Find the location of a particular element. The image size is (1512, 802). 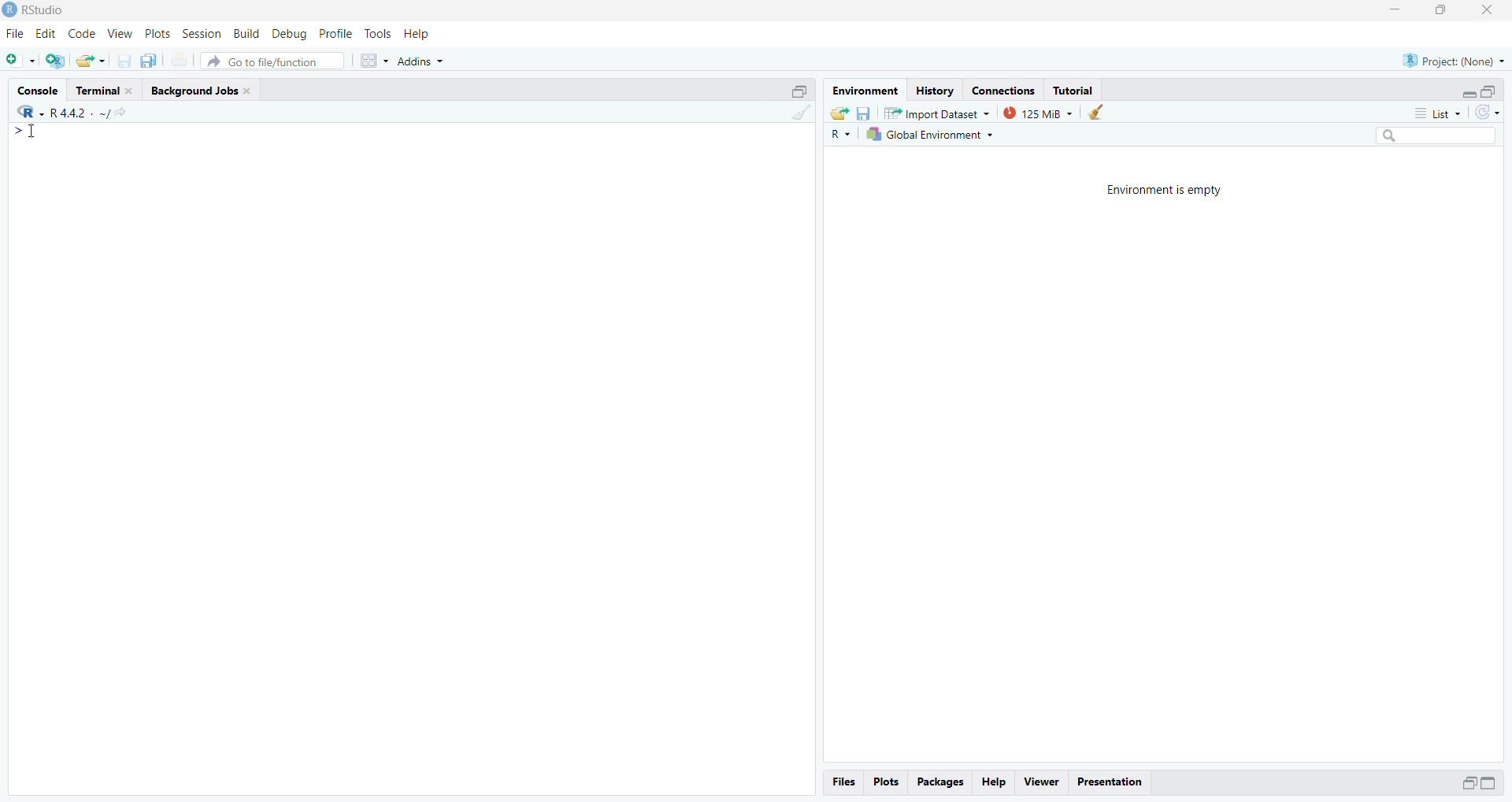

minimize is located at coordinates (1488, 783).